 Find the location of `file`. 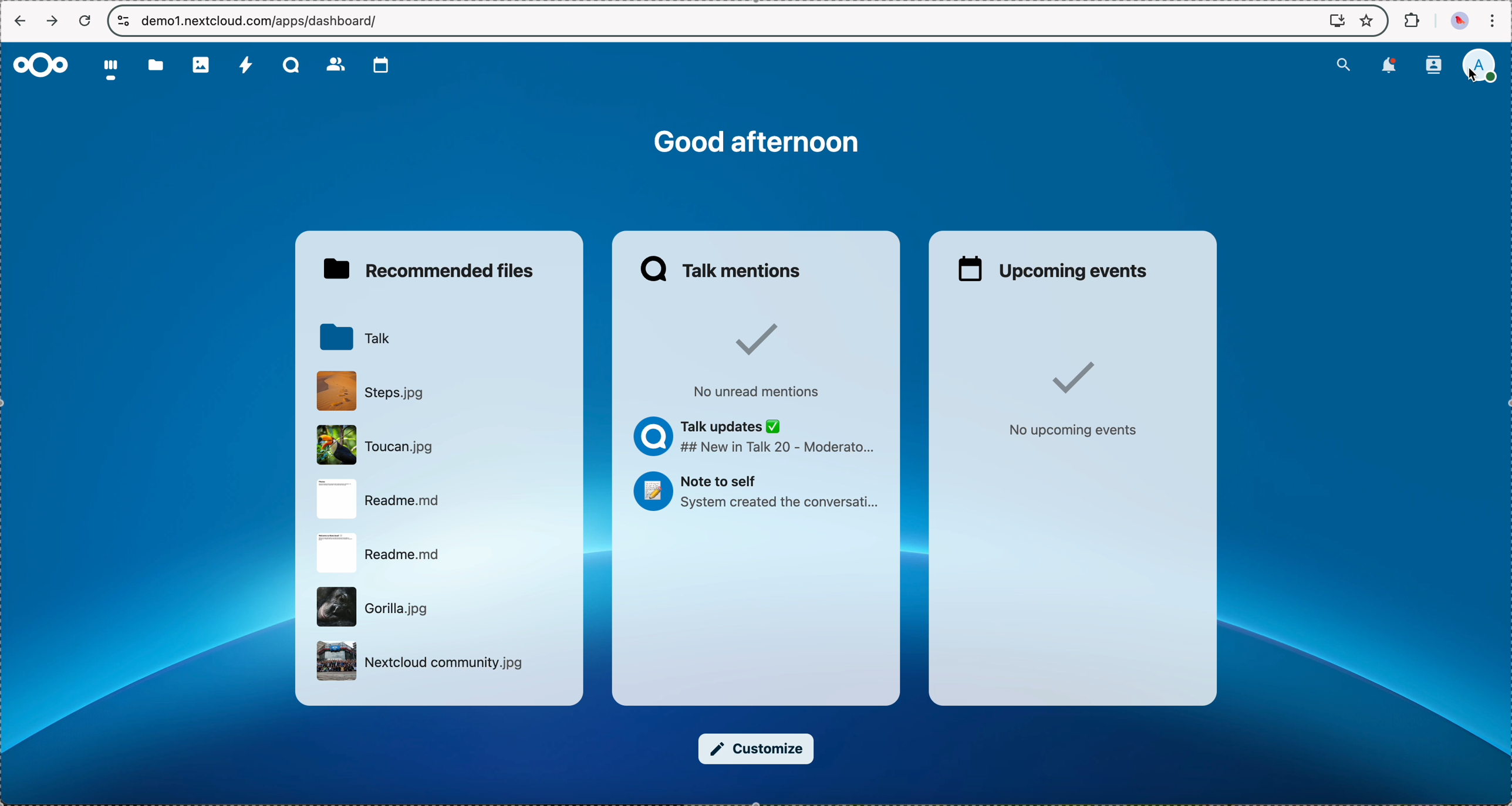

file is located at coordinates (381, 552).